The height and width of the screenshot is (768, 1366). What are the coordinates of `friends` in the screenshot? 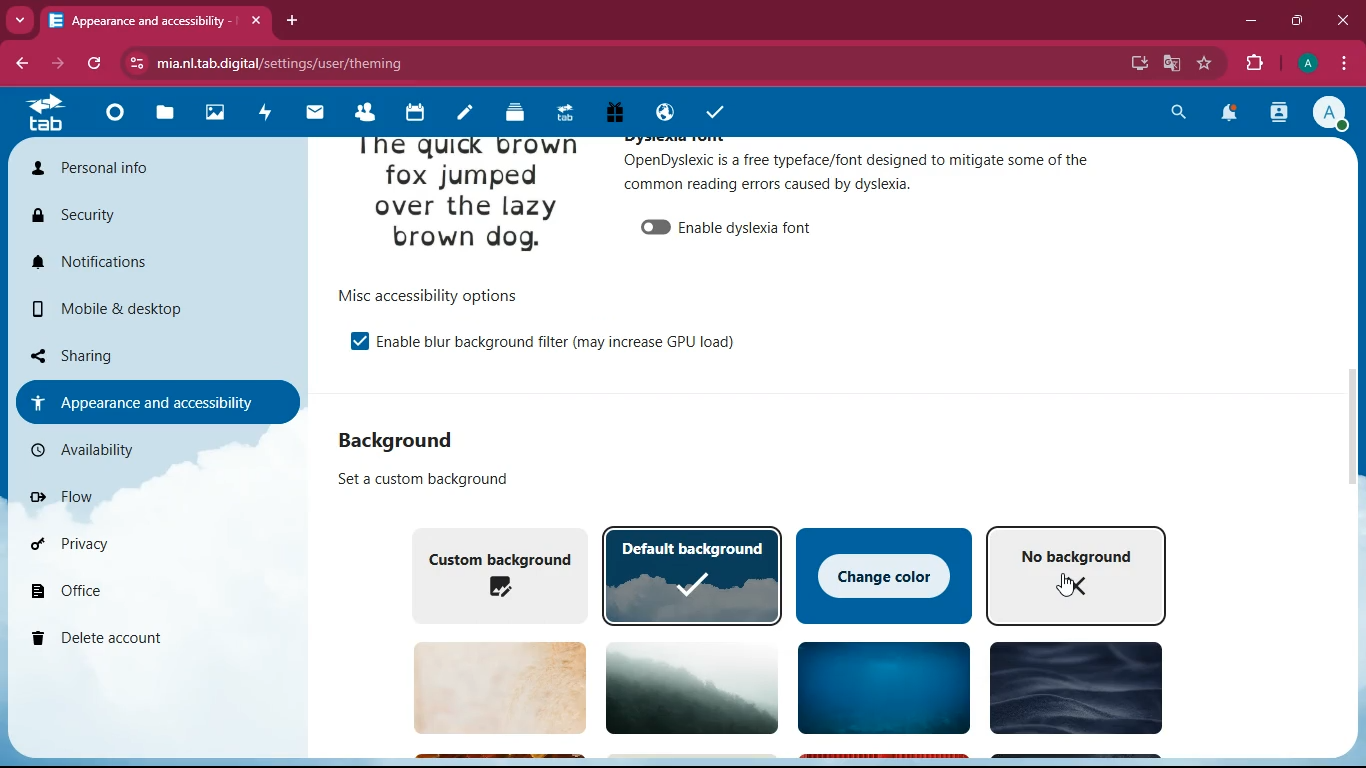 It's located at (362, 113).